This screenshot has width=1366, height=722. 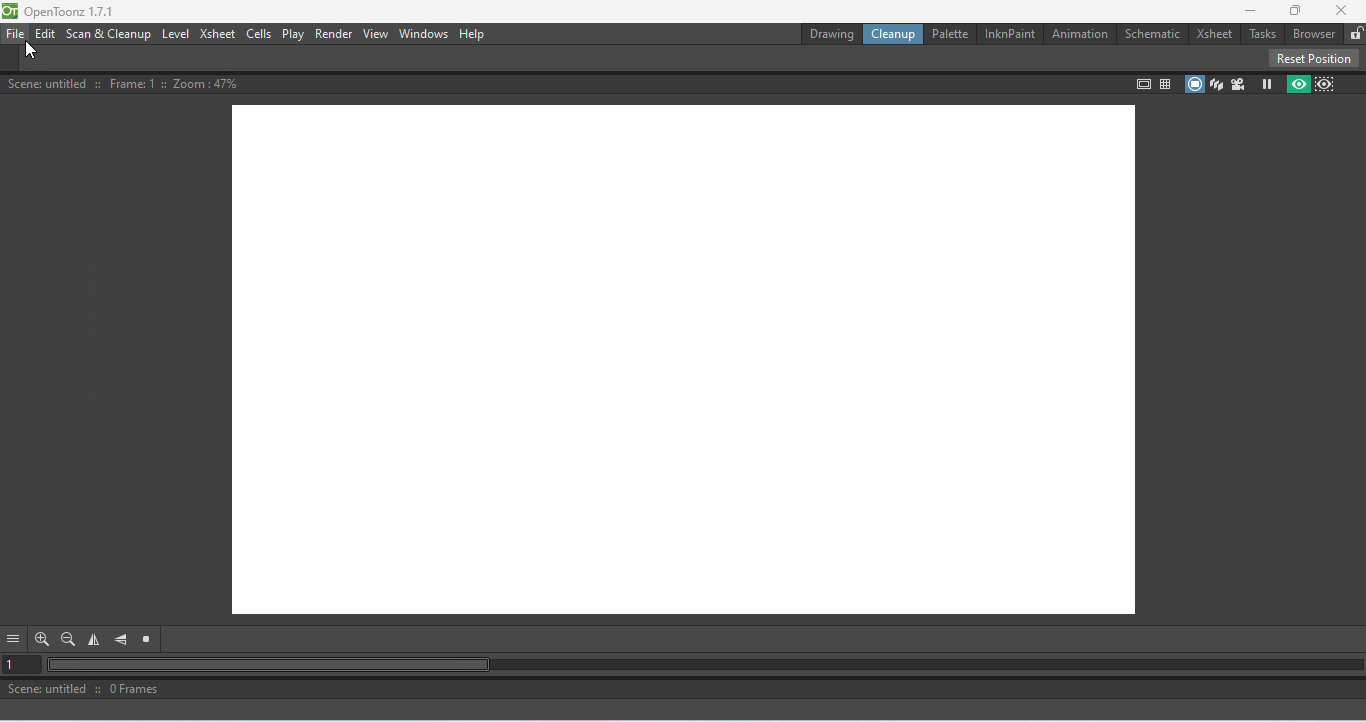 I want to click on File, so click(x=16, y=33).